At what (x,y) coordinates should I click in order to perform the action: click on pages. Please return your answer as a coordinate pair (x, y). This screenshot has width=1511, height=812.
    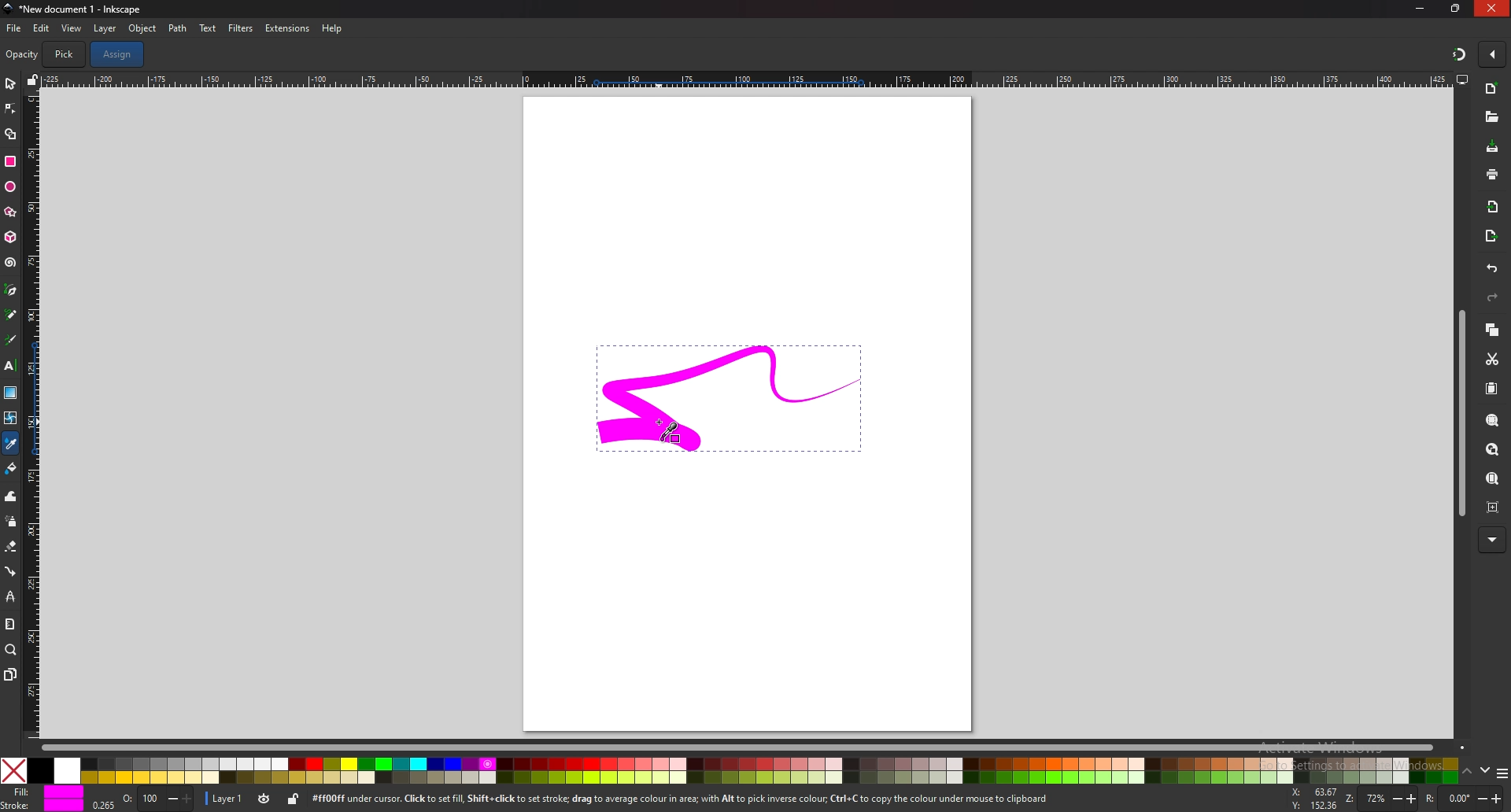
    Looking at the image, I should click on (10, 674).